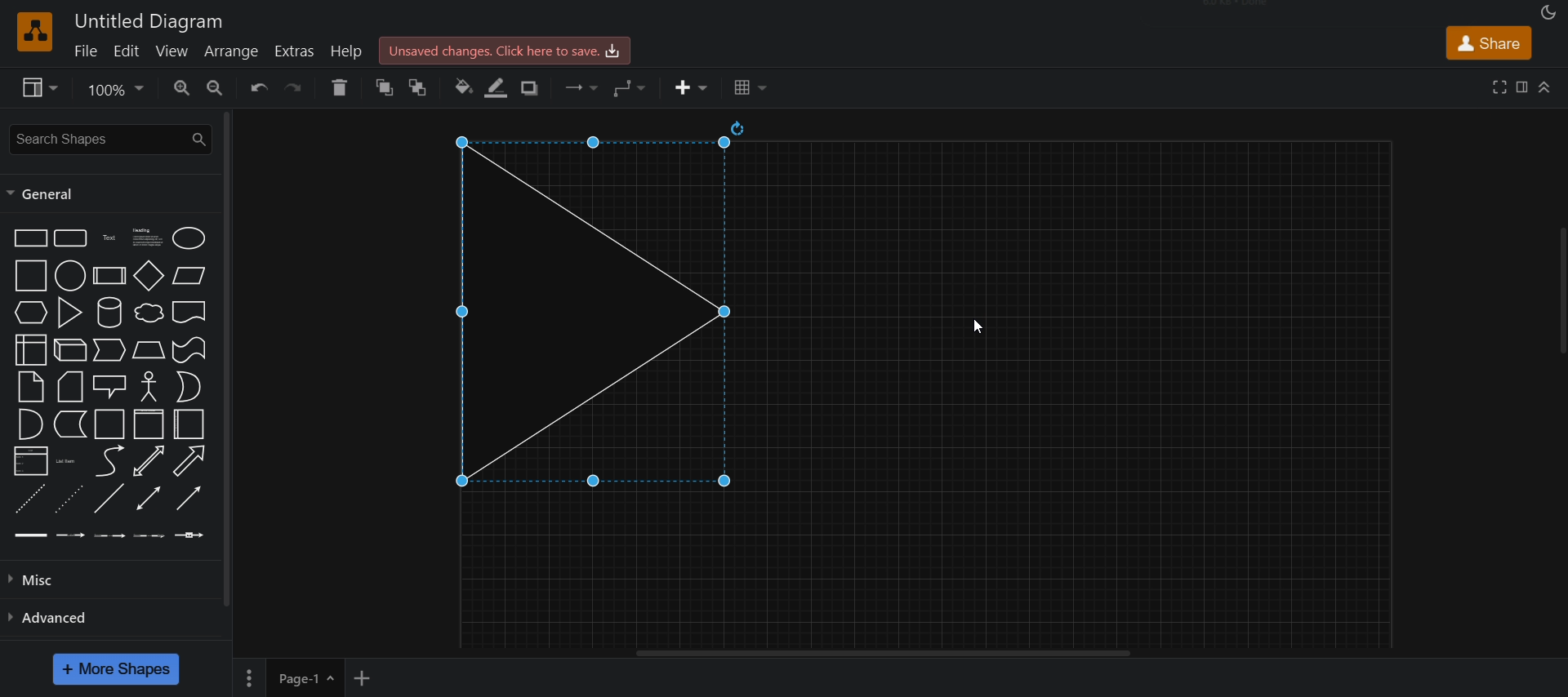 The image size is (1568, 697). I want to click on ellipse, so click(192, 239).